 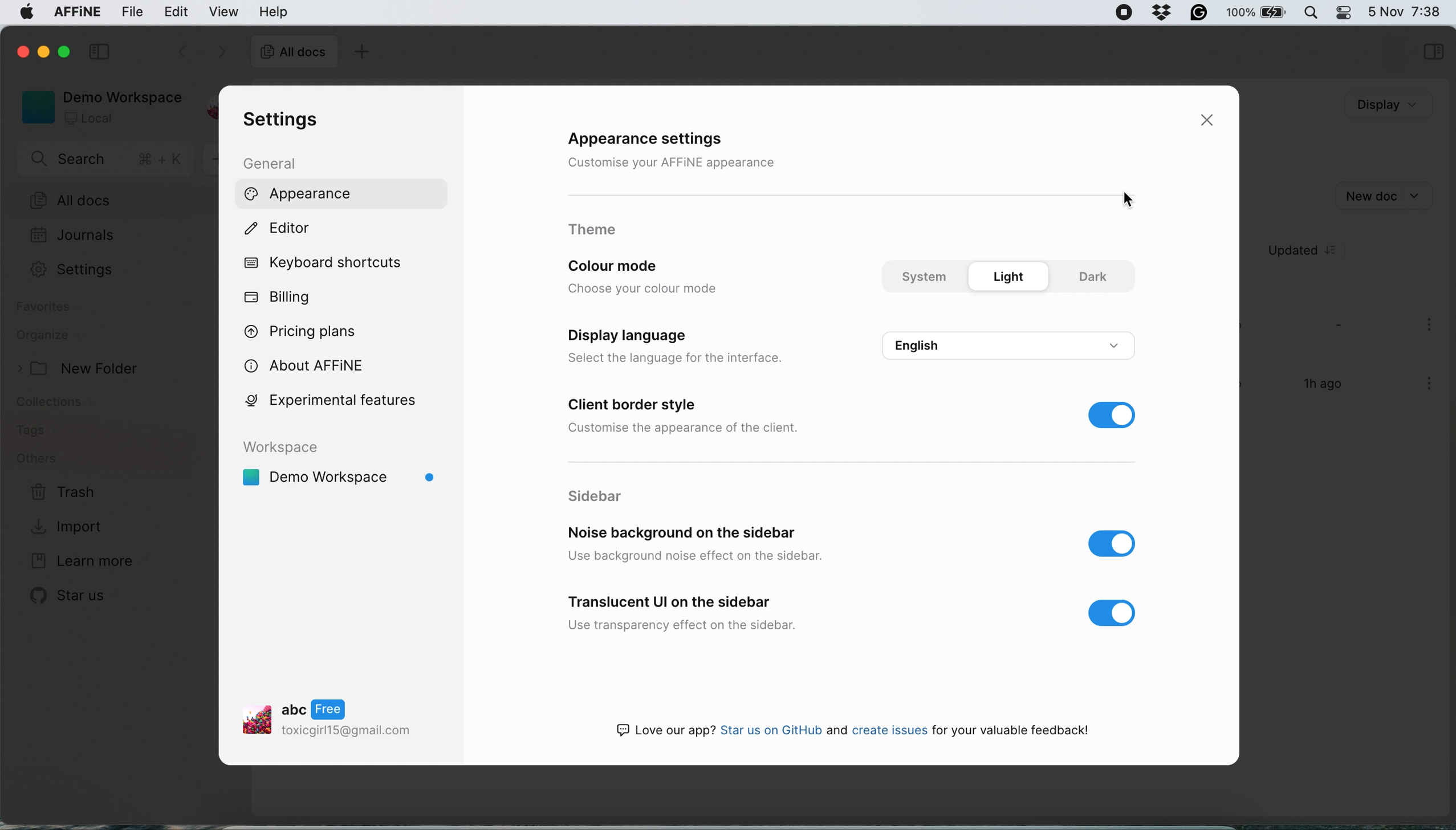 What do you see at coordinates (627, 336) in the screenshot?
I see `display language` at bounding box center [627, 336].